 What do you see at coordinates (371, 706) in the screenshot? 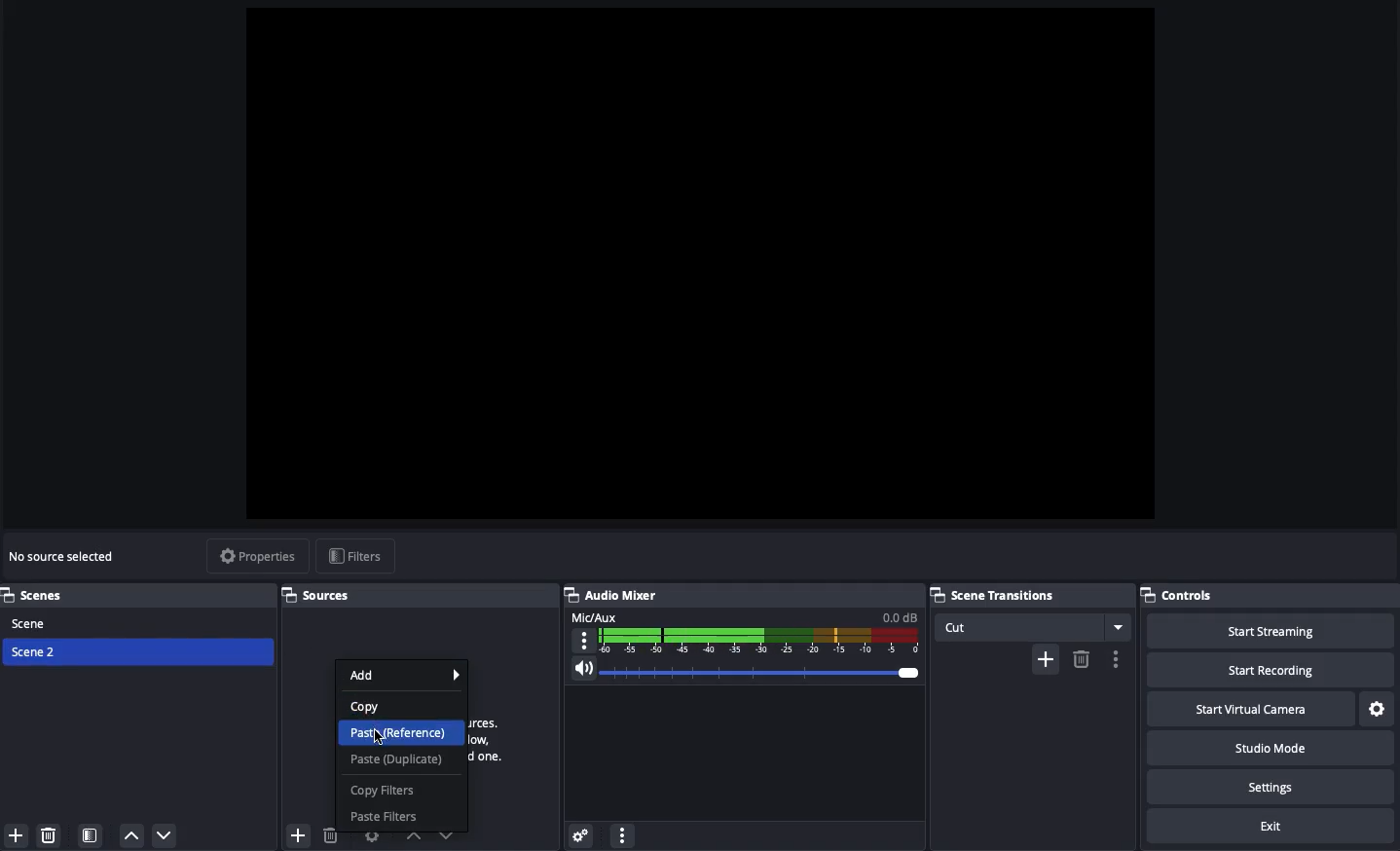
I see `Copy` at bounding box center [371, 706].